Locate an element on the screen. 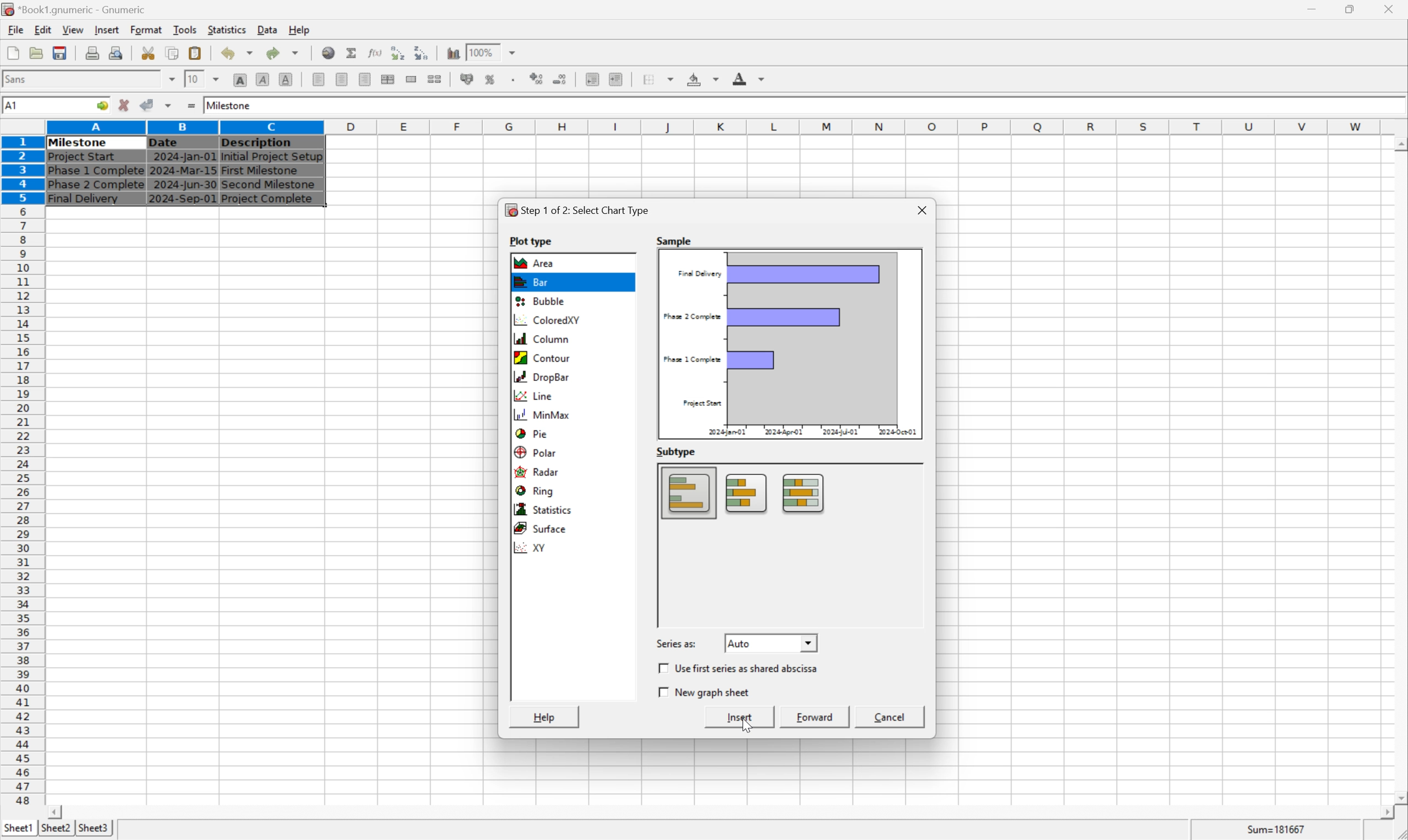 The width and height of the screenshot is (1408, 840). column is located at coordinates (541, 338).